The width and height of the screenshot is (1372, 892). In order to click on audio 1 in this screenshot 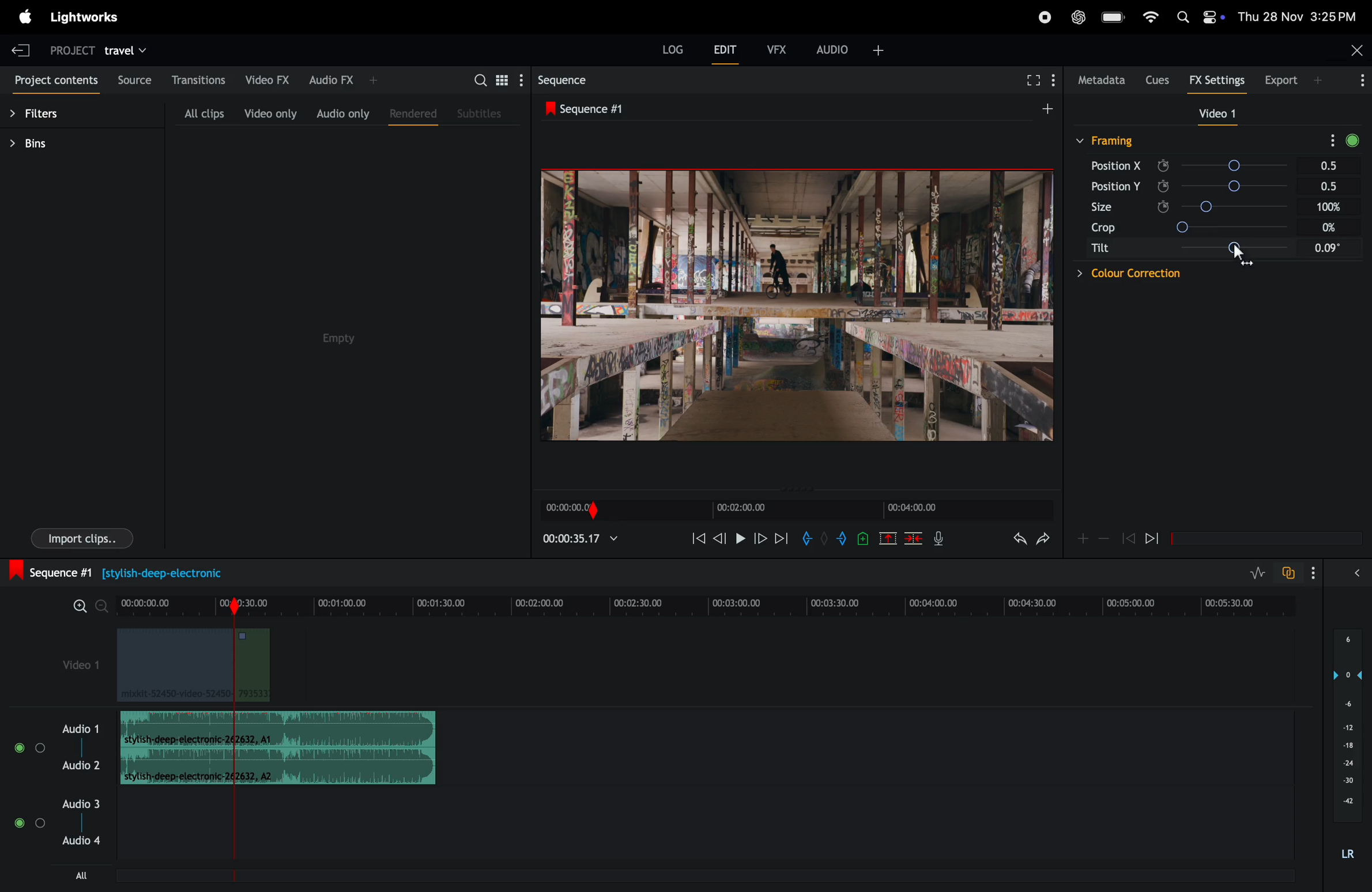, I will do `click(81, 729)`.